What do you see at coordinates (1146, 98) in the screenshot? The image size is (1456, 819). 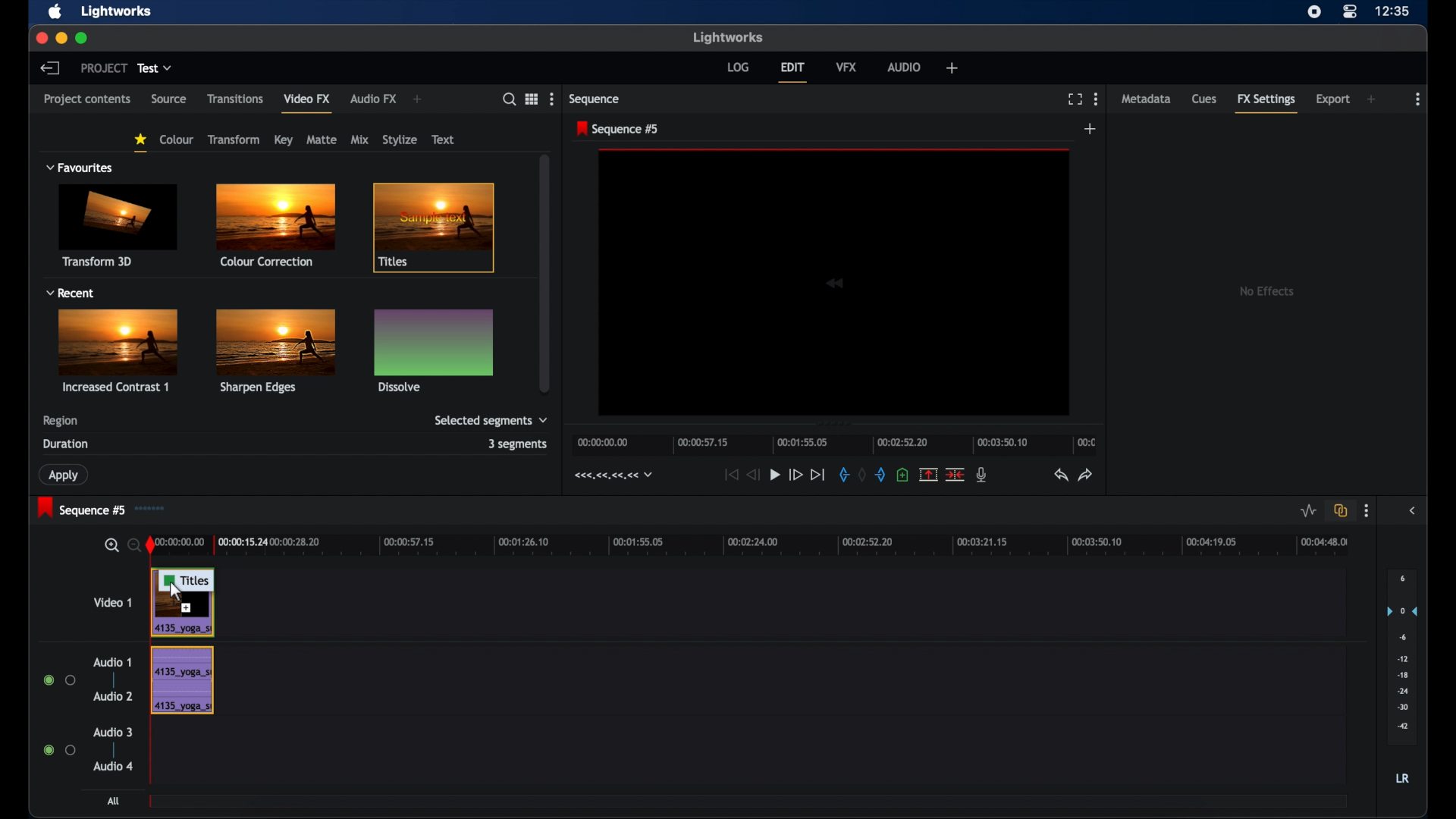 I see `metadata` at bounding box center [1146, 98].